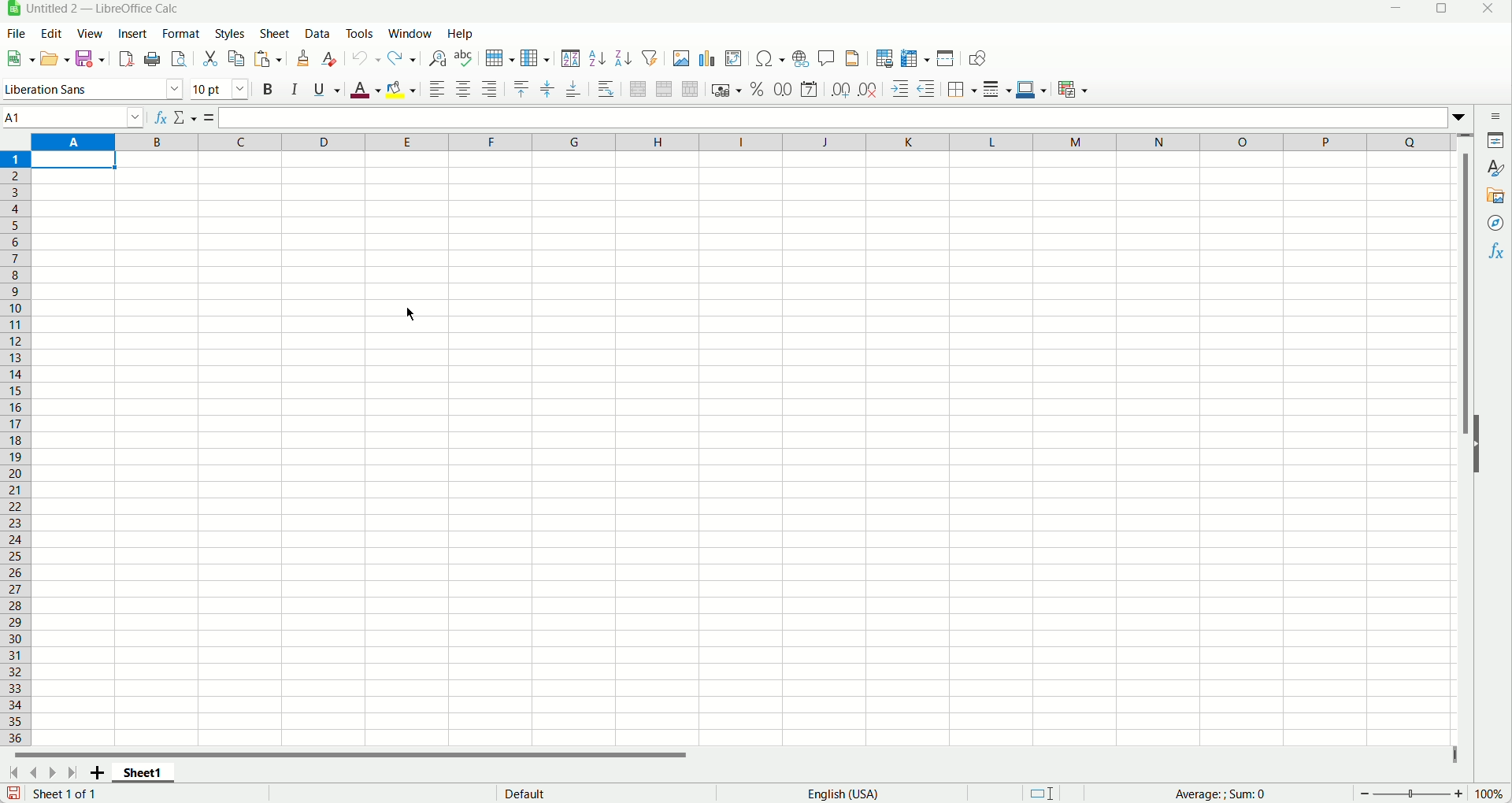  What do you see at coordinates (144, 775) in the screenshot?
I see `Sheet 1` at bounding box center [144, 775].